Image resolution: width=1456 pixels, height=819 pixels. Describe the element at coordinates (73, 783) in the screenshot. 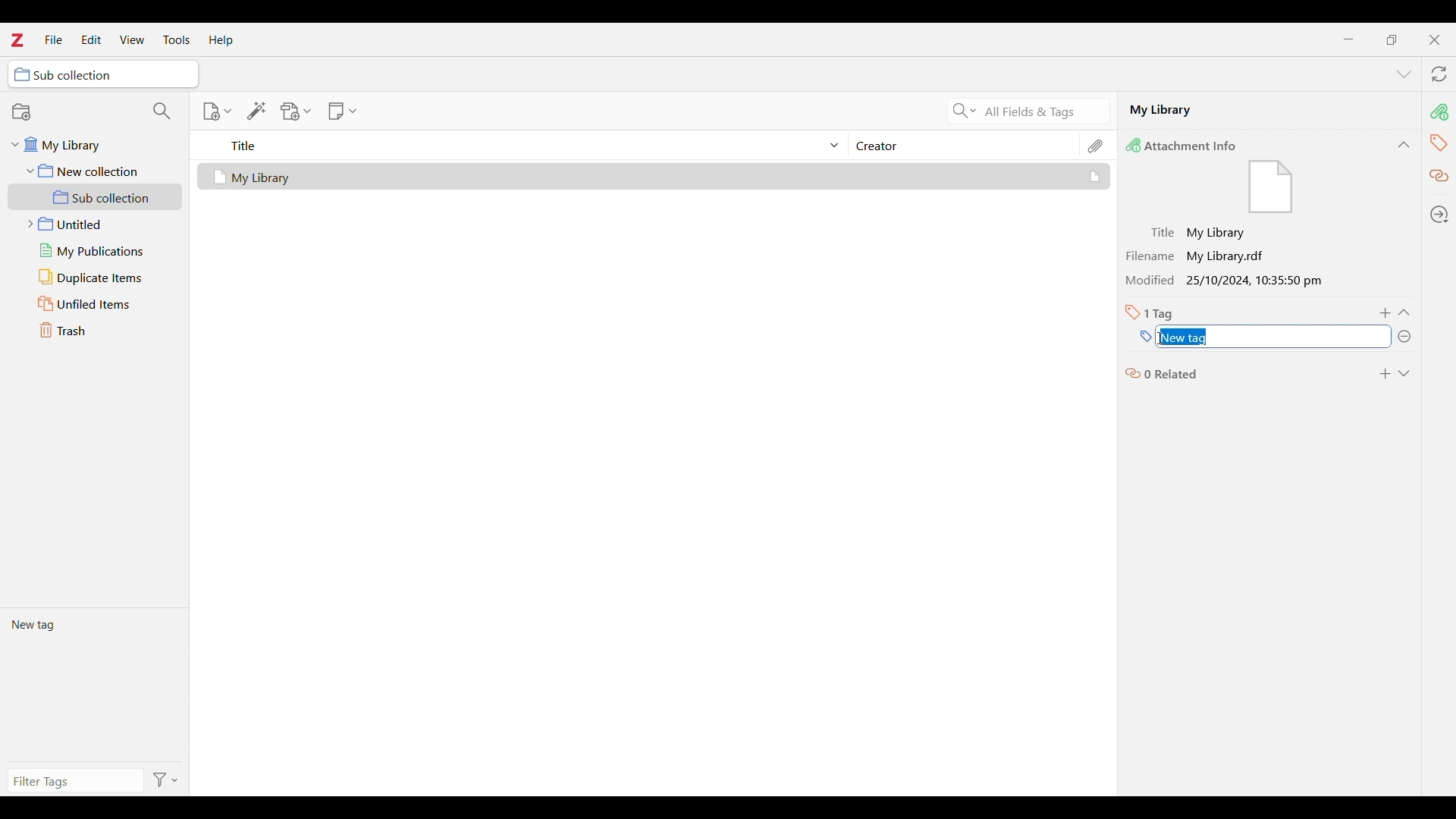

I see `Type in filter tags` at that location.